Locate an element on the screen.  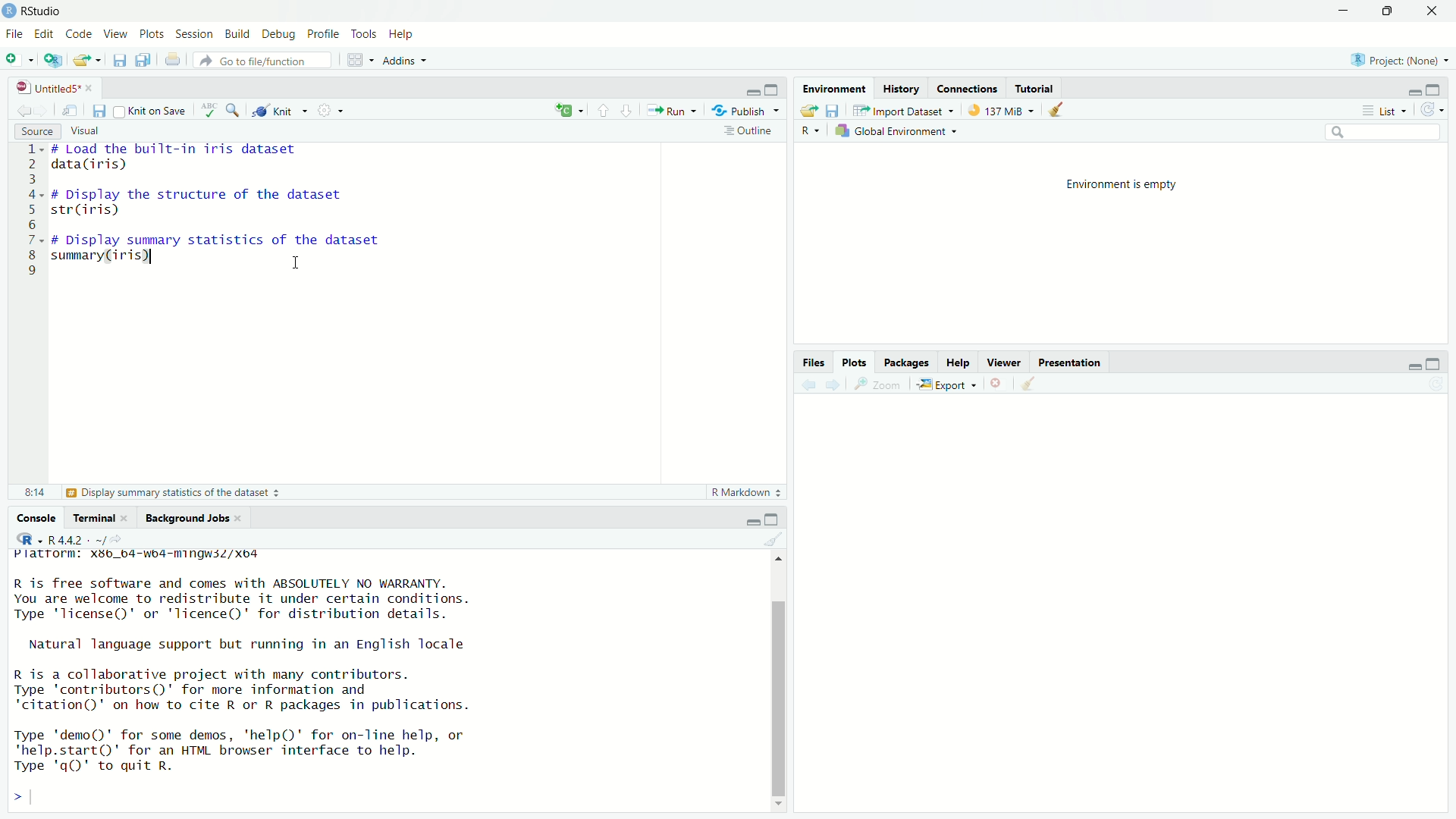
Remove selected is located at coordinates (999, 383).